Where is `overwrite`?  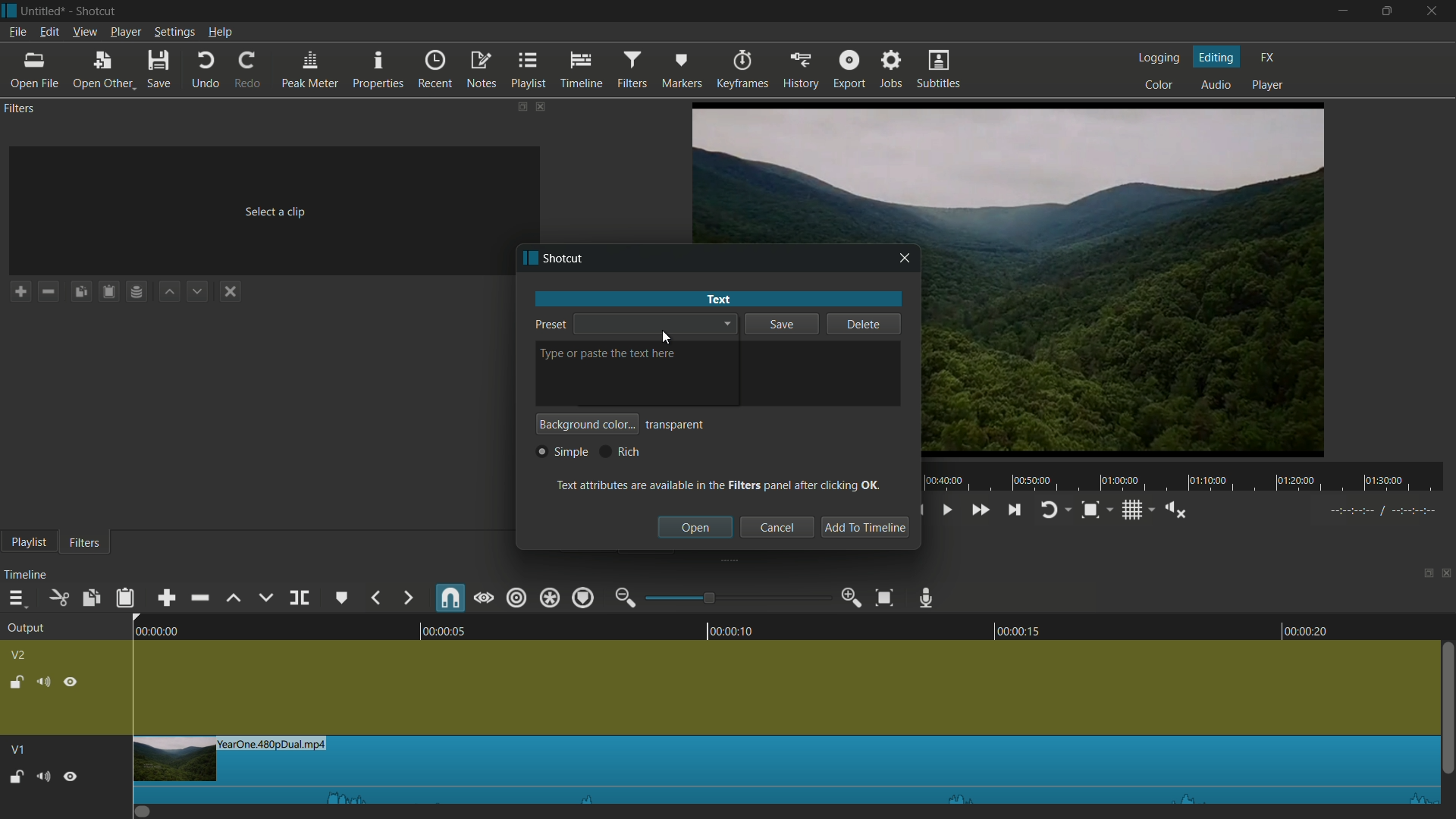
overwrite is located at coordinates (265, 598).